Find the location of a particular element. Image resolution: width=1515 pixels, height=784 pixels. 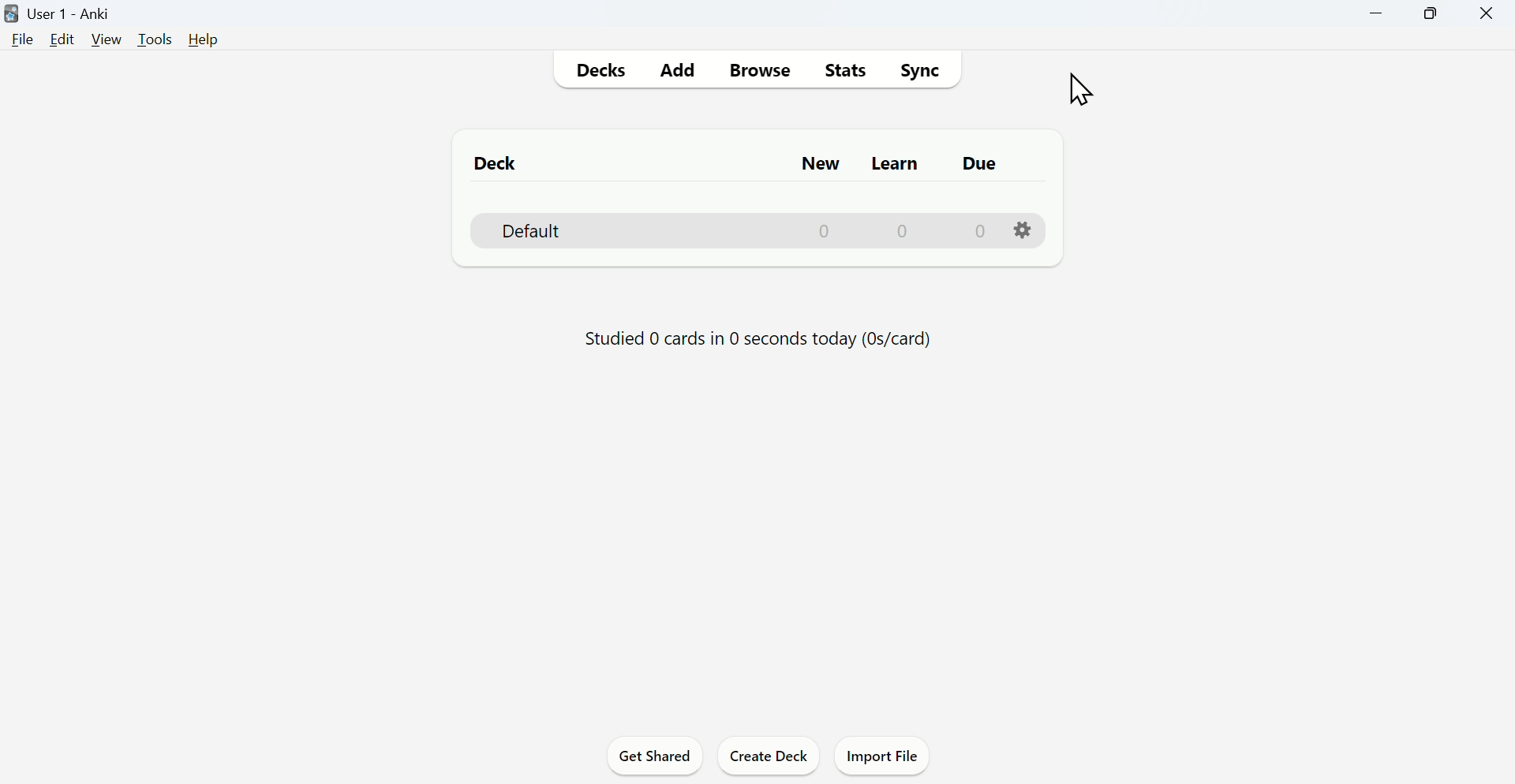

Maximize is located at coordinates (1430, 14).